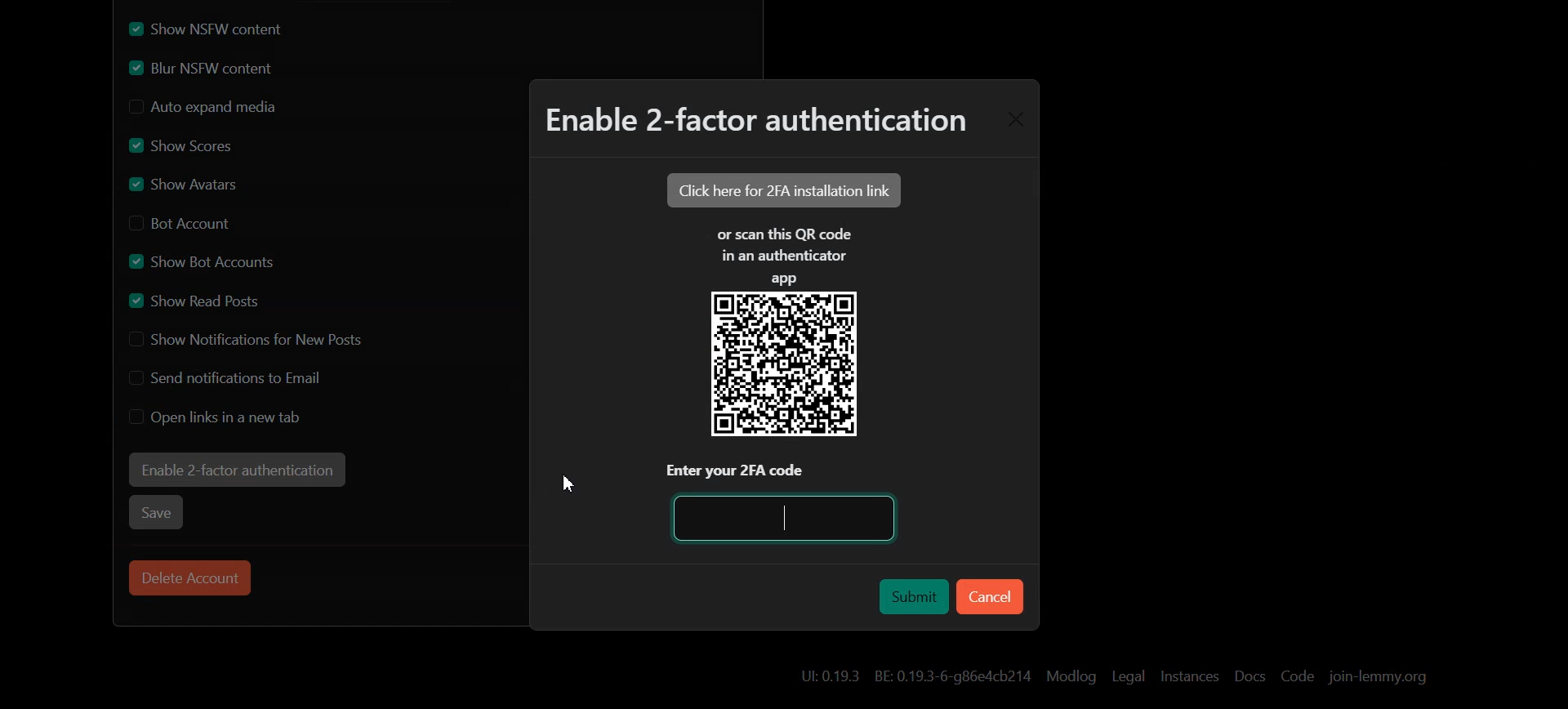  Describe the element at coordinates (753, 124) in the screenshot. I see `Text` at that location.